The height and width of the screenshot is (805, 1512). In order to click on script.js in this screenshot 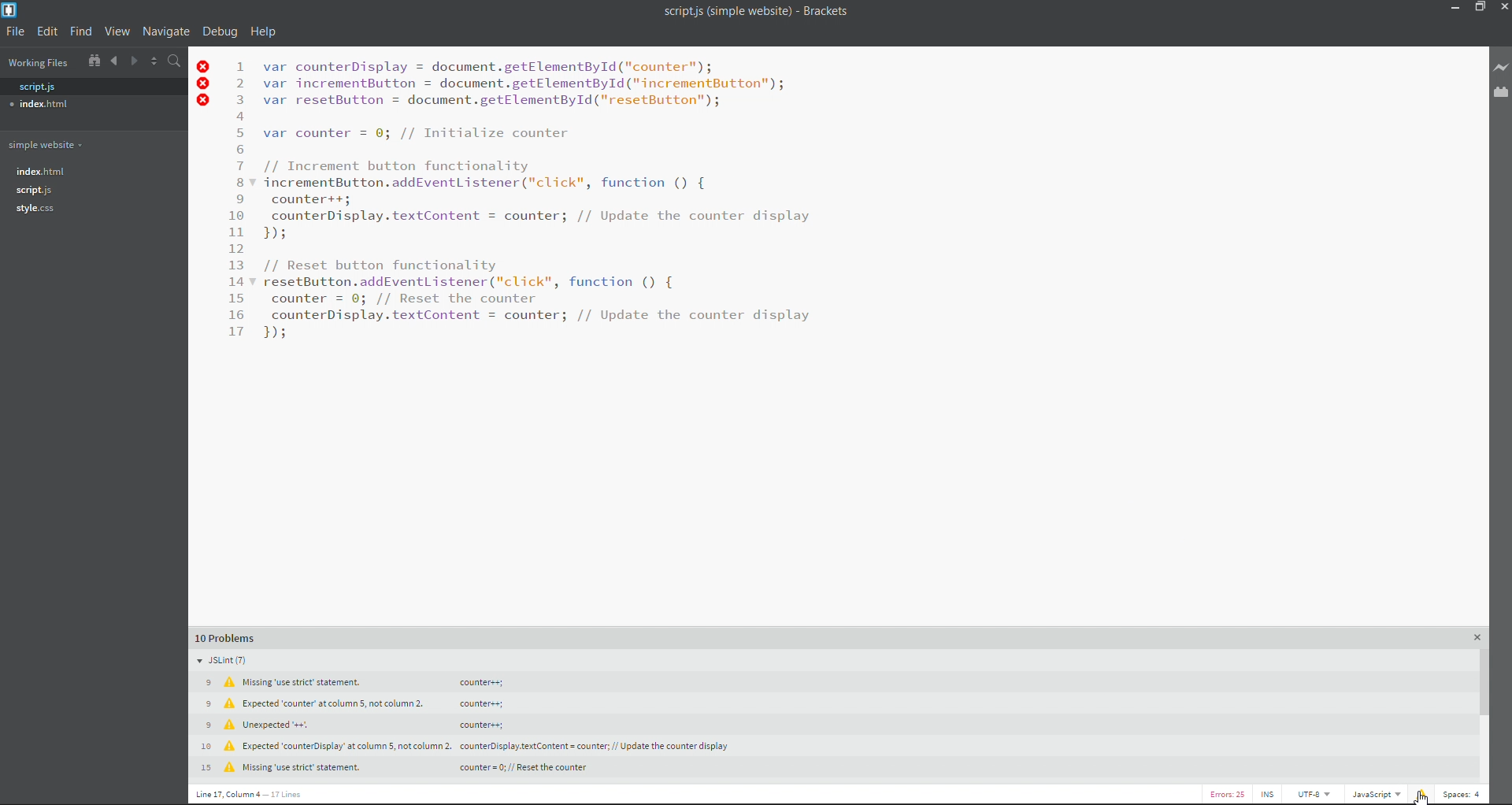, I will do `click(35, 87)`.